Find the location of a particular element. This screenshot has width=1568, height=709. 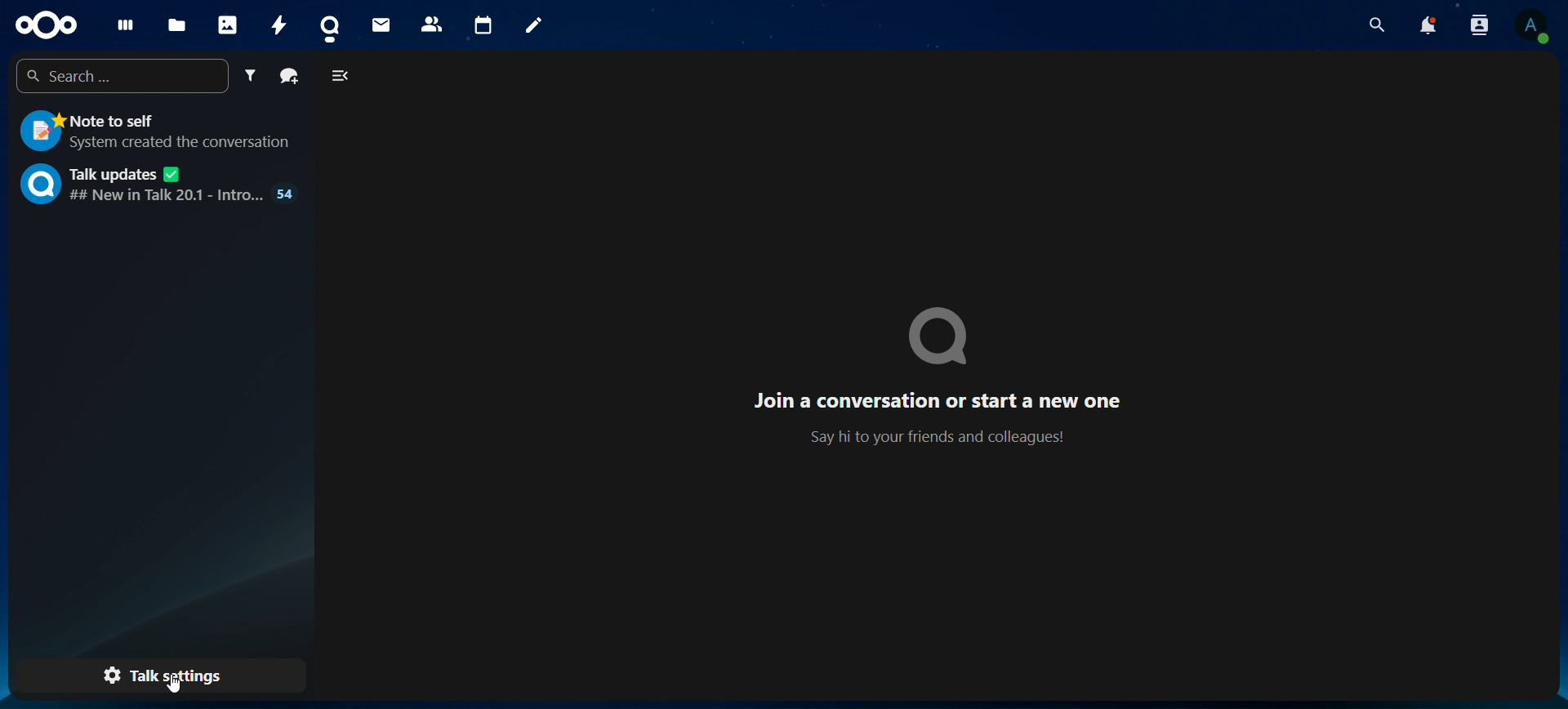

notes is located at coordinates (534, 25).